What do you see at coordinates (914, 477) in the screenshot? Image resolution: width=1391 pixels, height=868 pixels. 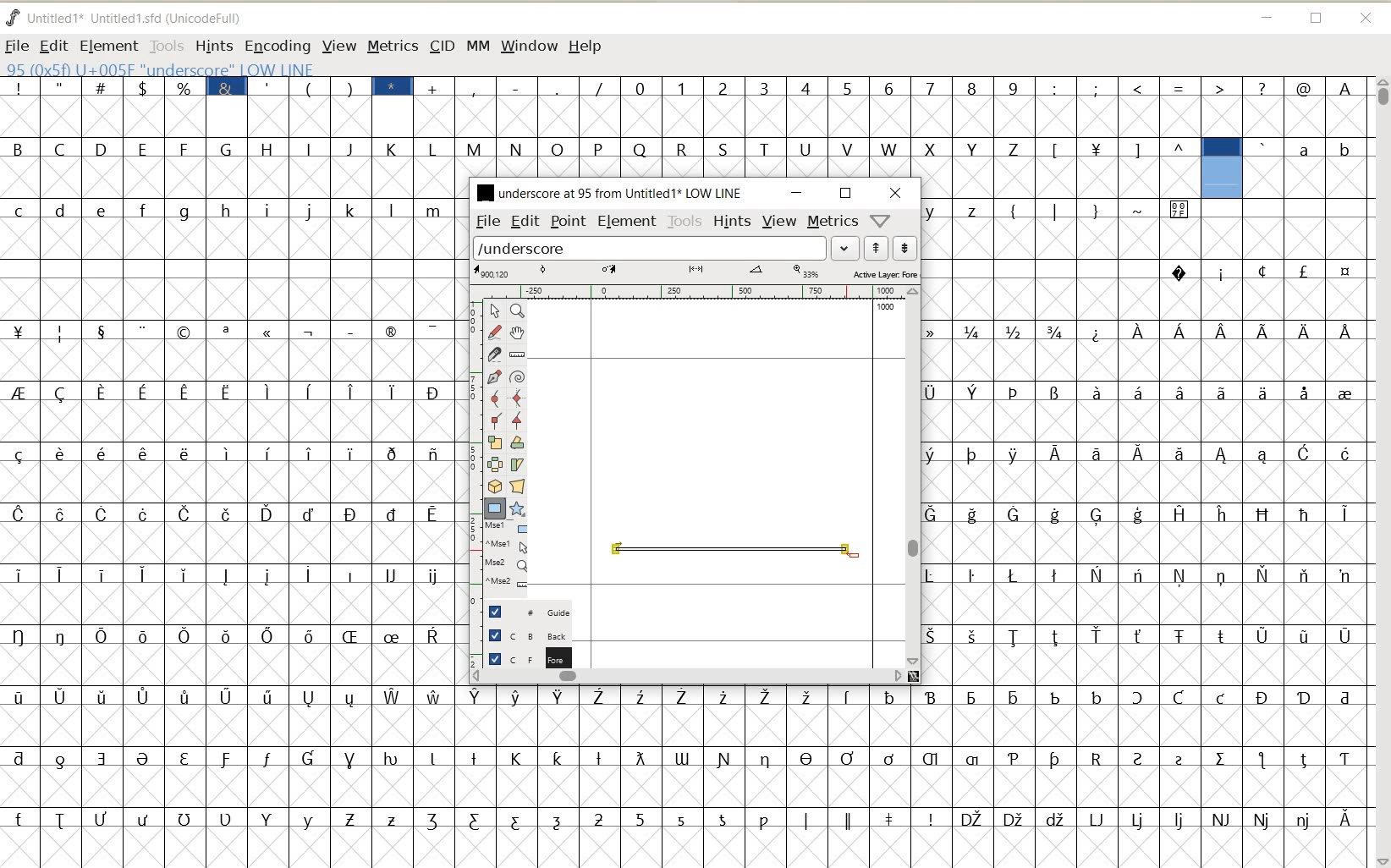 I see `SCROLLBAR` at bounding box center [914, 477].